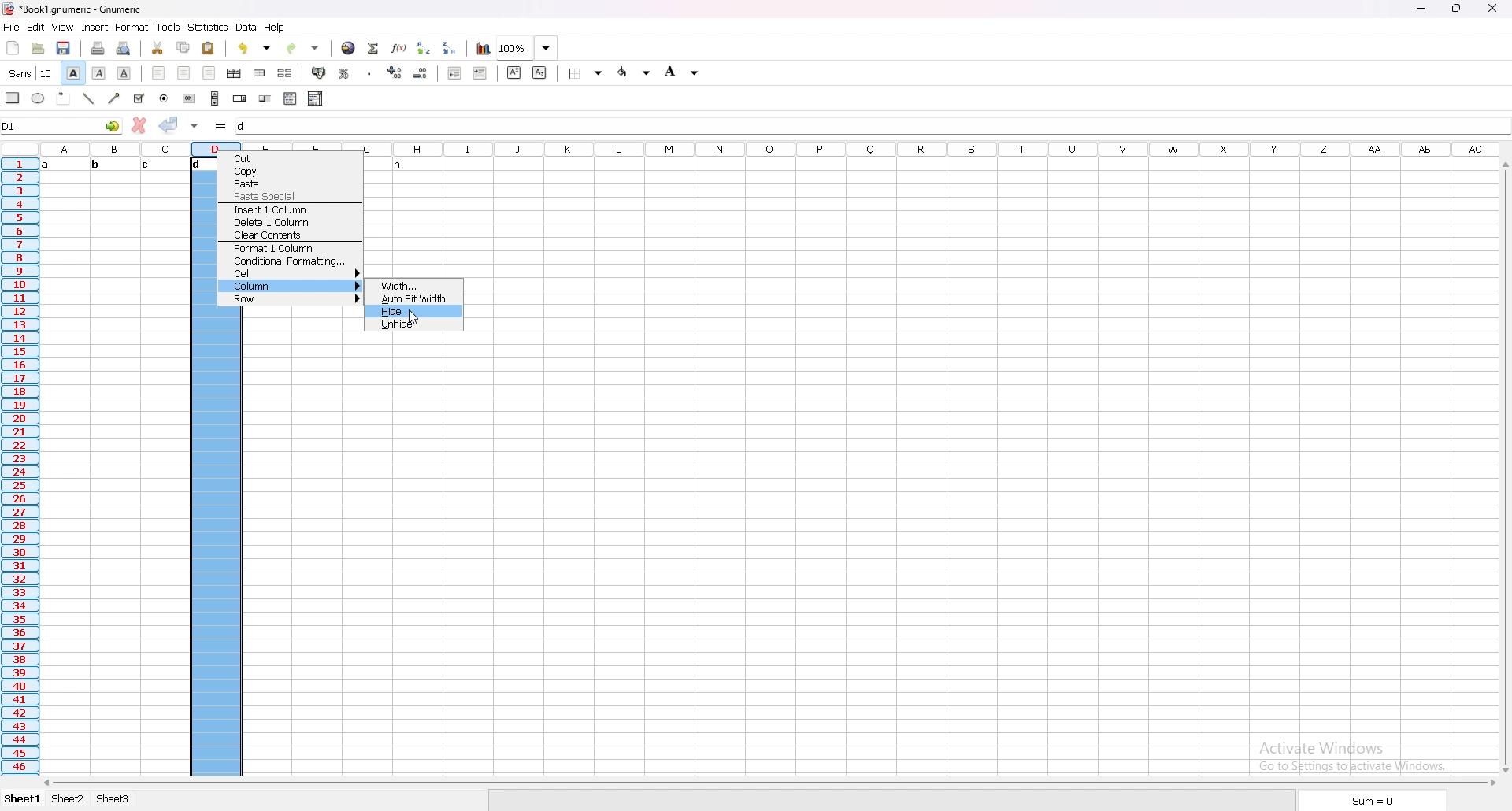 Image resolution: width=1512 pixels, height=811 pixels. What do you see at coordinates (291, 209) in the screenshot?
I see `insert 1 column` at bounding box center [291, 209].